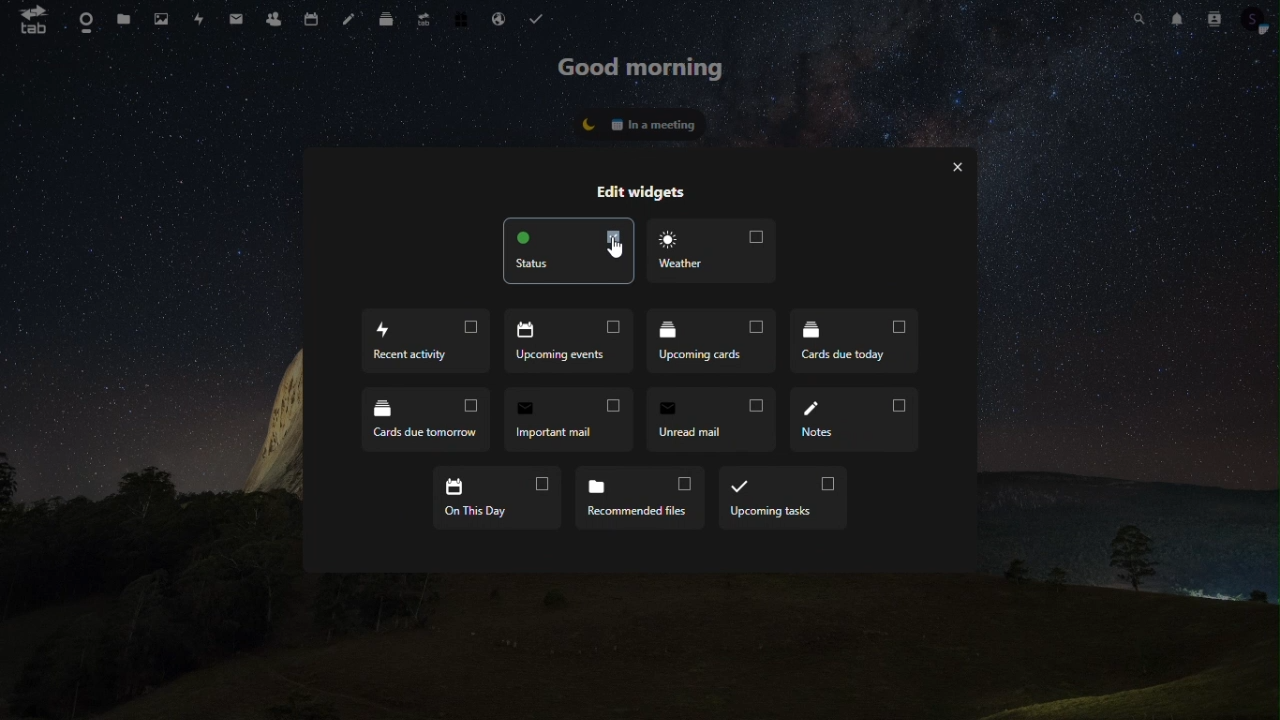 The height and width of the screenshot is (720, 1280). Describe the element at coordinates (83, 19) in the screenshot. I see `dashboard` at that location.